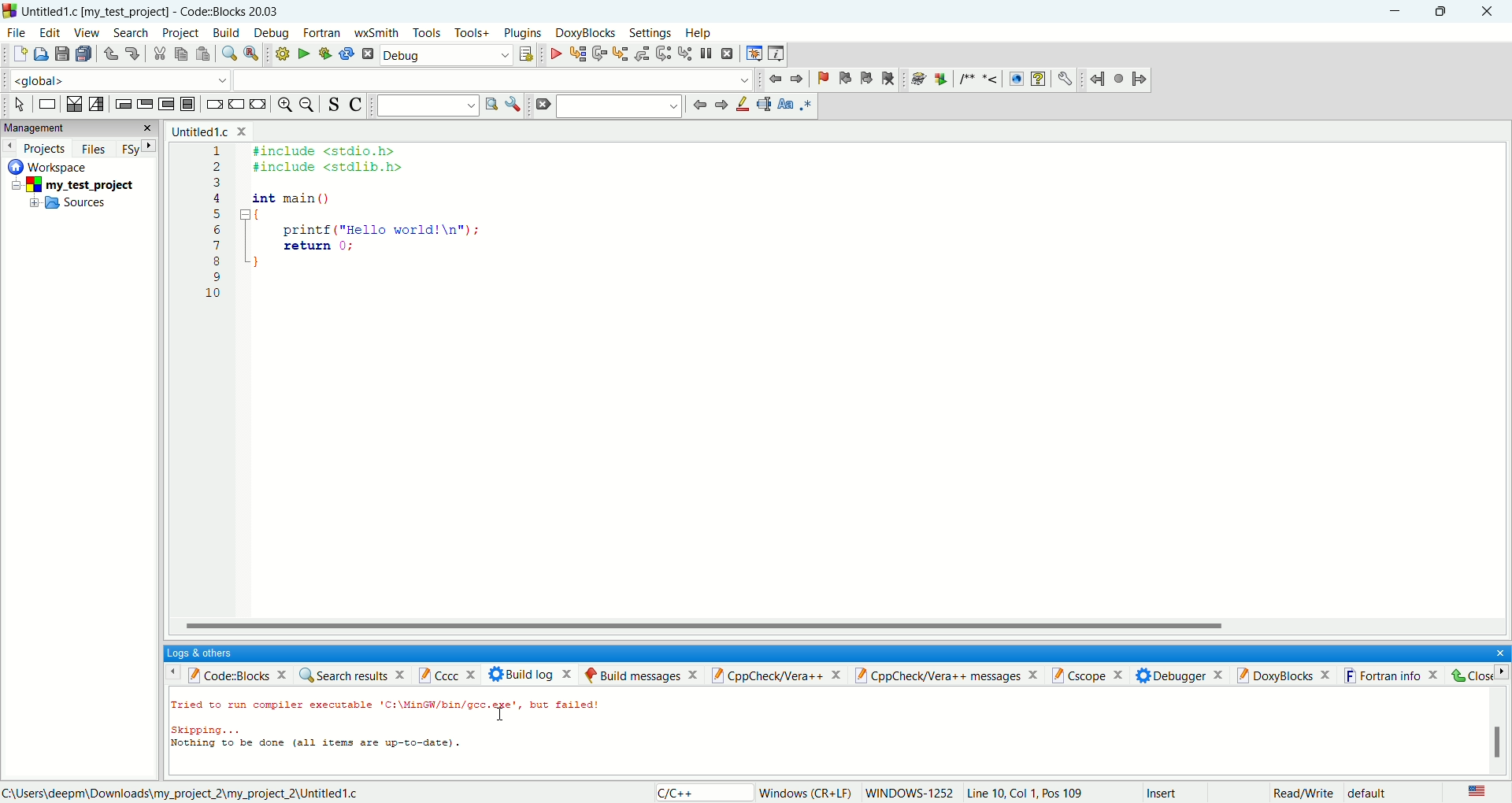 The image size is (1512, 803). I want to click on doxyblocks, so click(586, 33).